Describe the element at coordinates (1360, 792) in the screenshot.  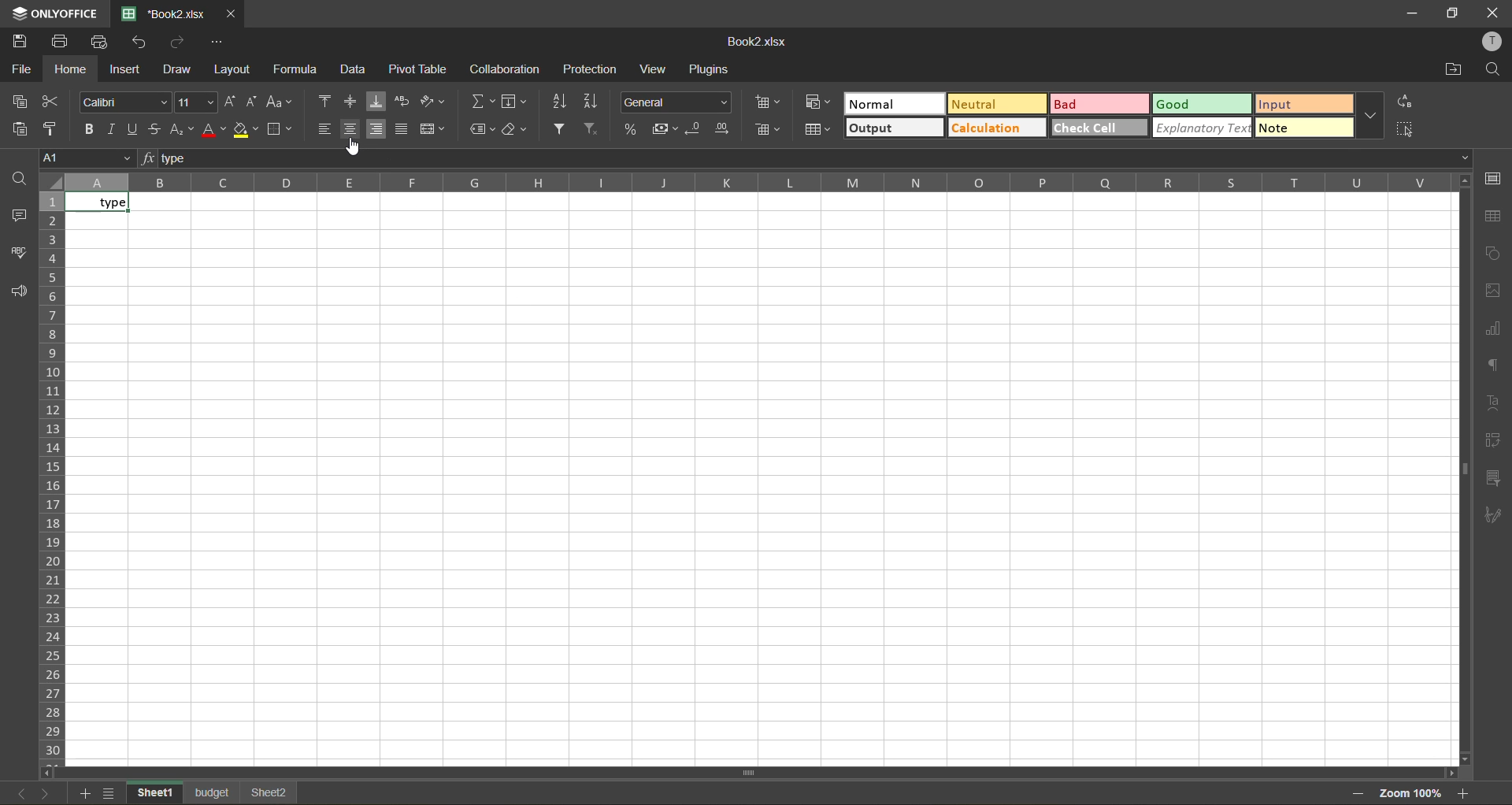
I see `zoom out` at that location.